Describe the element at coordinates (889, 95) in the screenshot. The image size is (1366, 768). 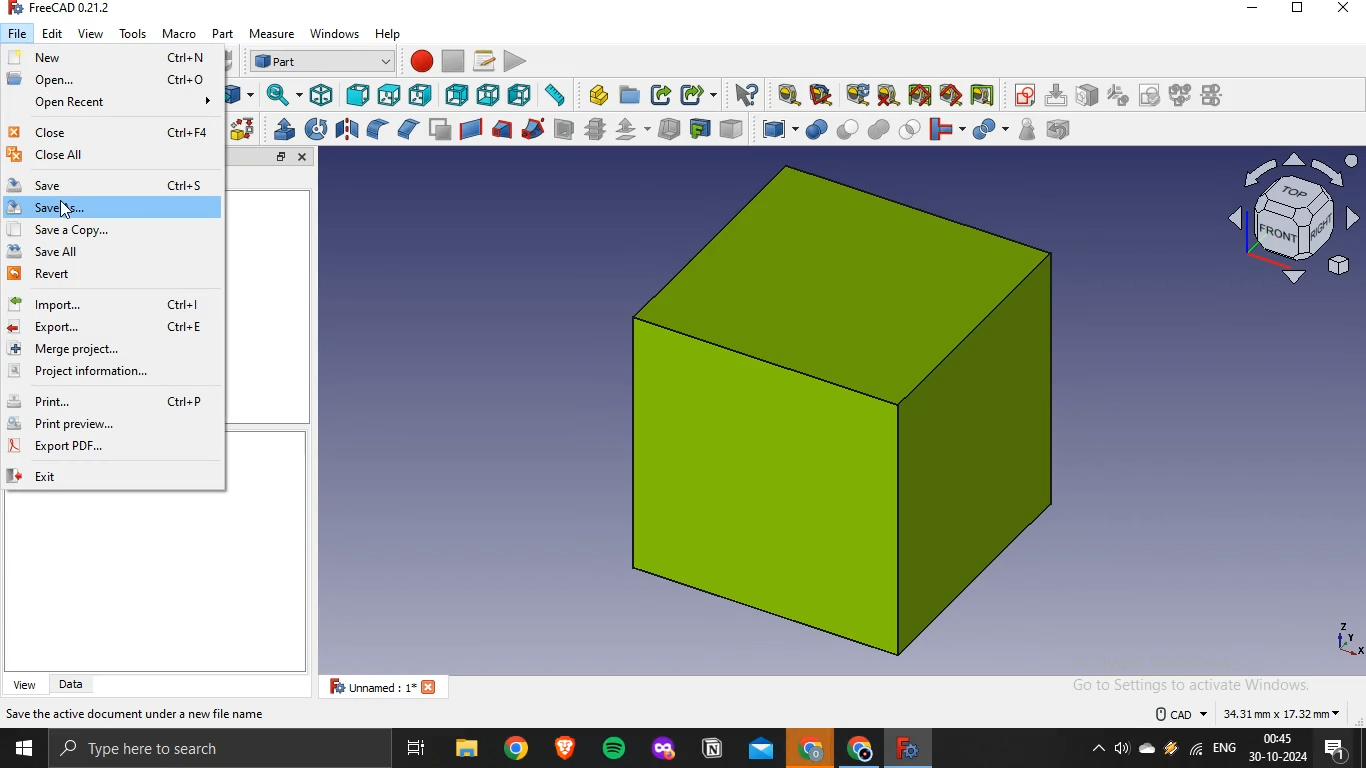
I see `clear all` at that location.